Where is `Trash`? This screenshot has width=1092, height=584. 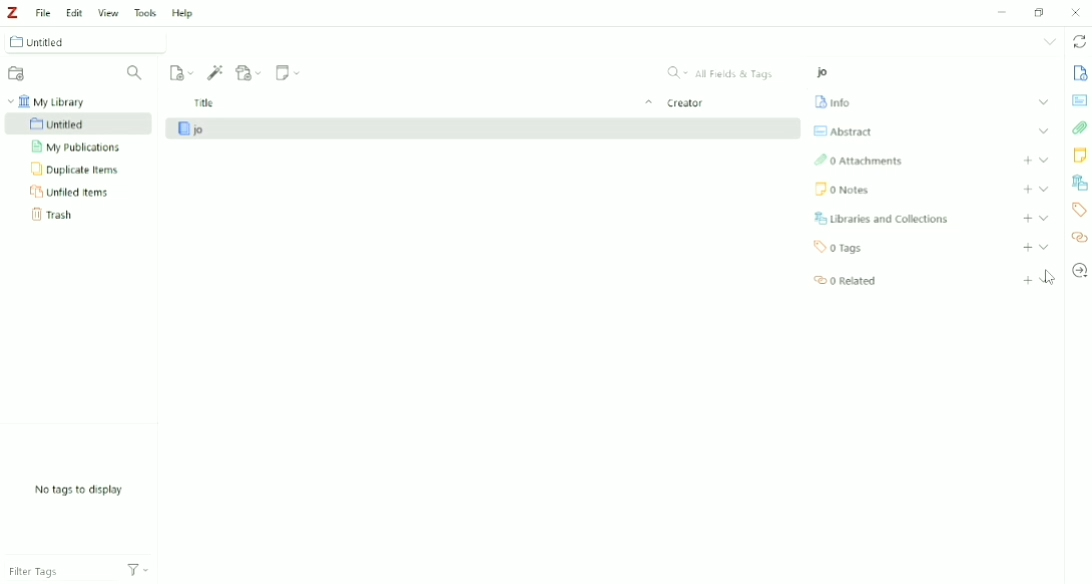
Trash is located at coordinates (55, 215).